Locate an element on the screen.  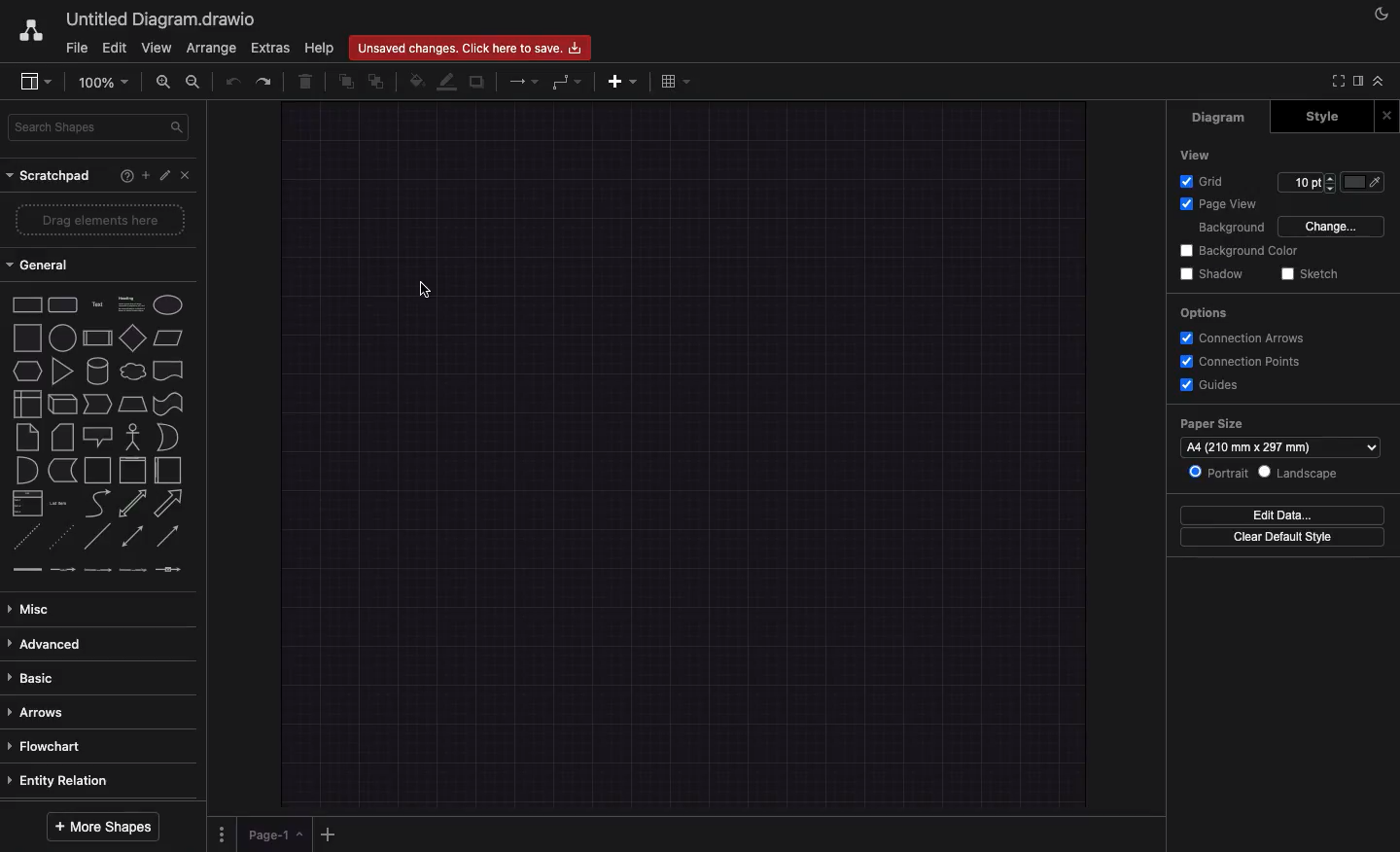
tape is located at coordinates (169, 404).